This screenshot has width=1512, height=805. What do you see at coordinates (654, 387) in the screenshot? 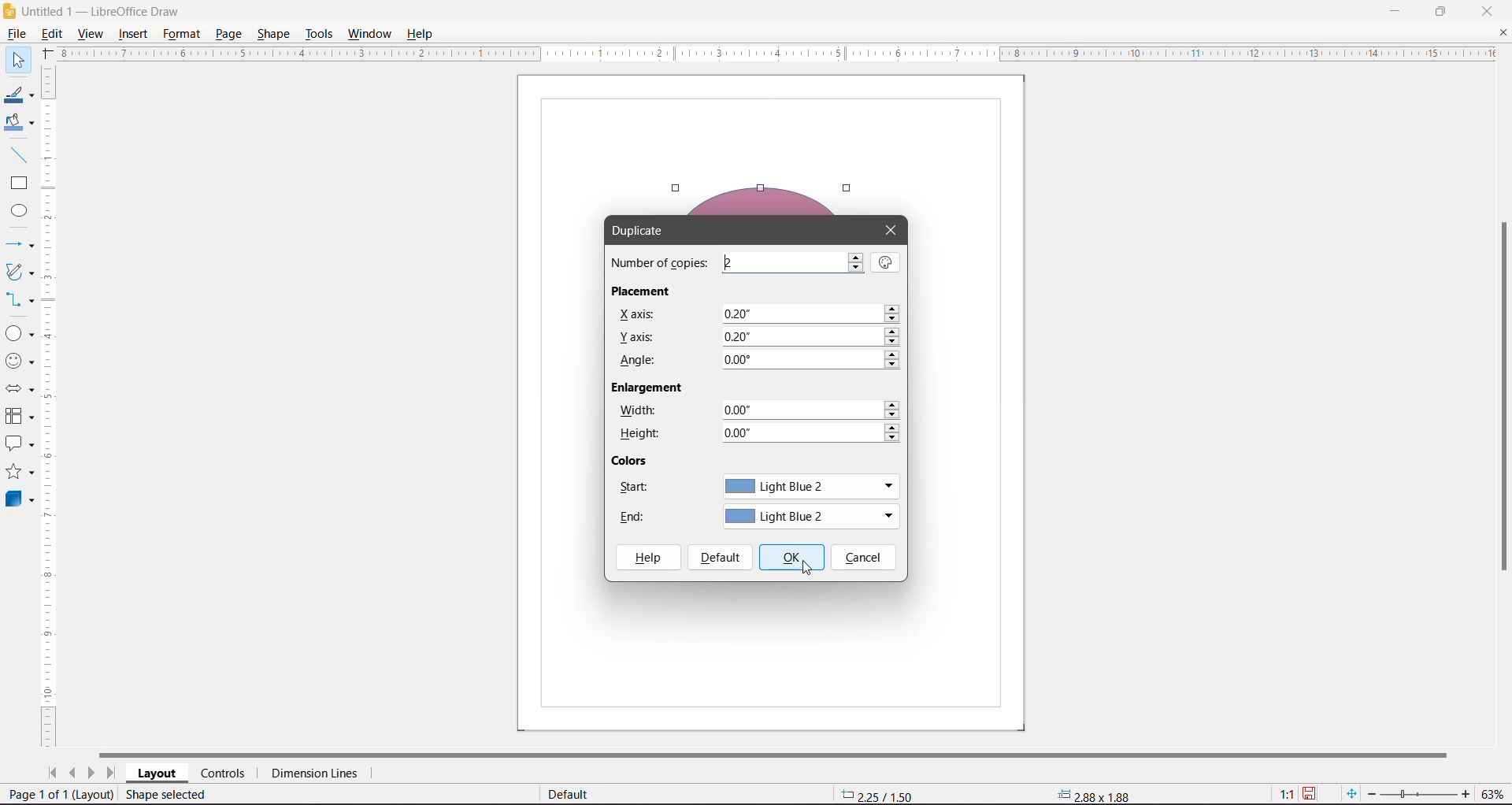
I see `Enlargement` at bounding box center [654, 387].